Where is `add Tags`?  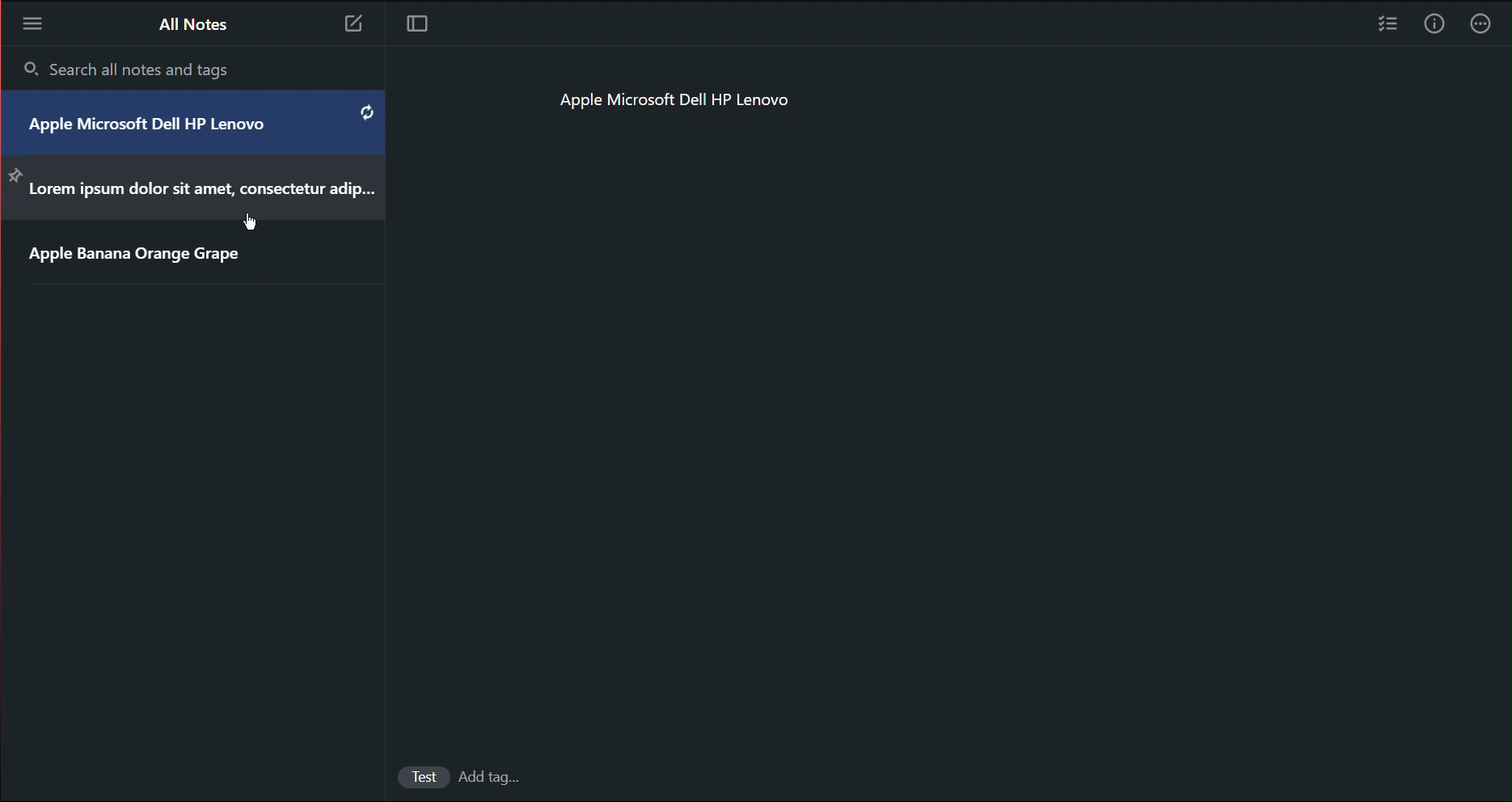
add Tags is located at coordinates (494, 779).